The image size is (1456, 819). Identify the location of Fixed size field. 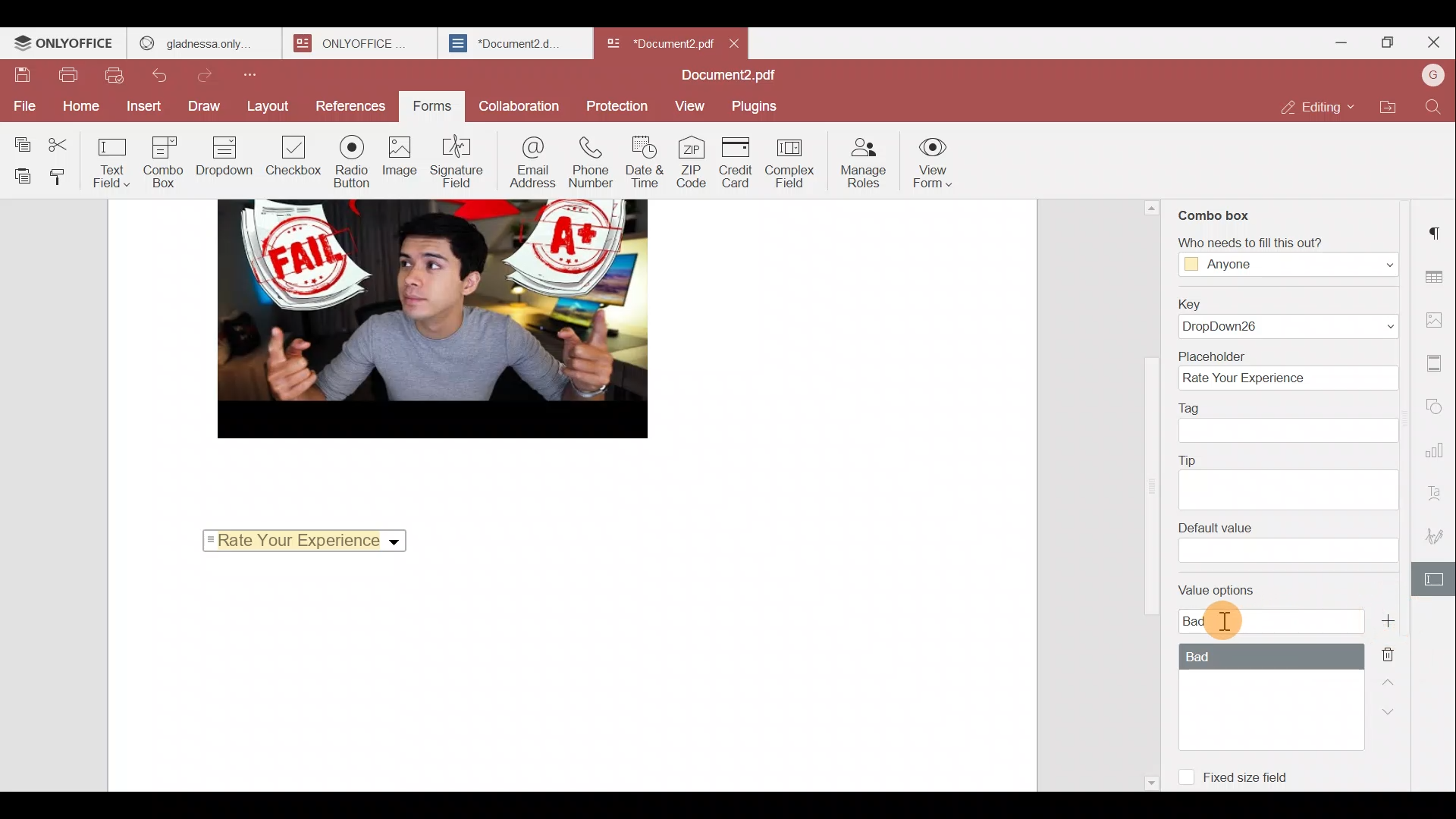
(1236, 773).